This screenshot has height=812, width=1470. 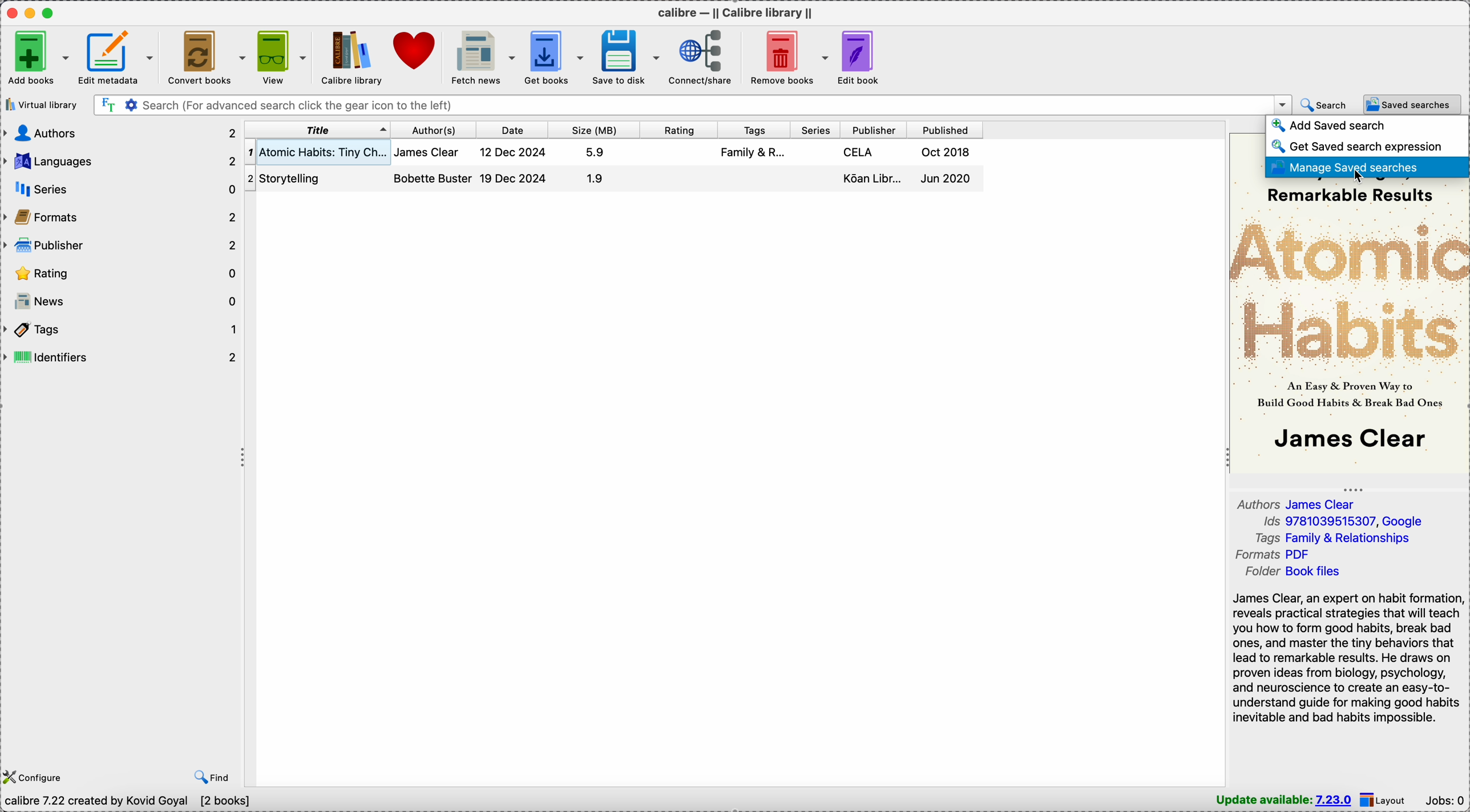 What do you see at coordinates (1356, 146) in the screenshot?
I see `get saved search expression` at bounding box center [1356, 146].